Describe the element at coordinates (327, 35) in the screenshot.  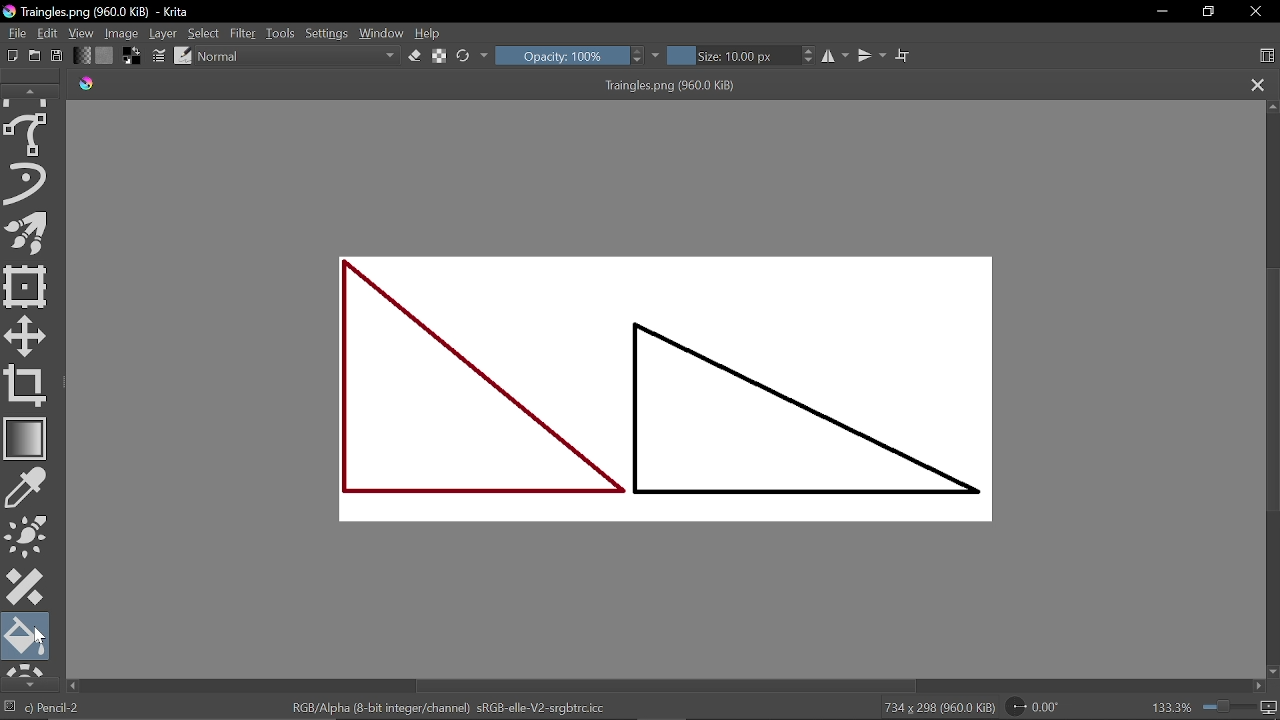
I see `Settings` at that location.